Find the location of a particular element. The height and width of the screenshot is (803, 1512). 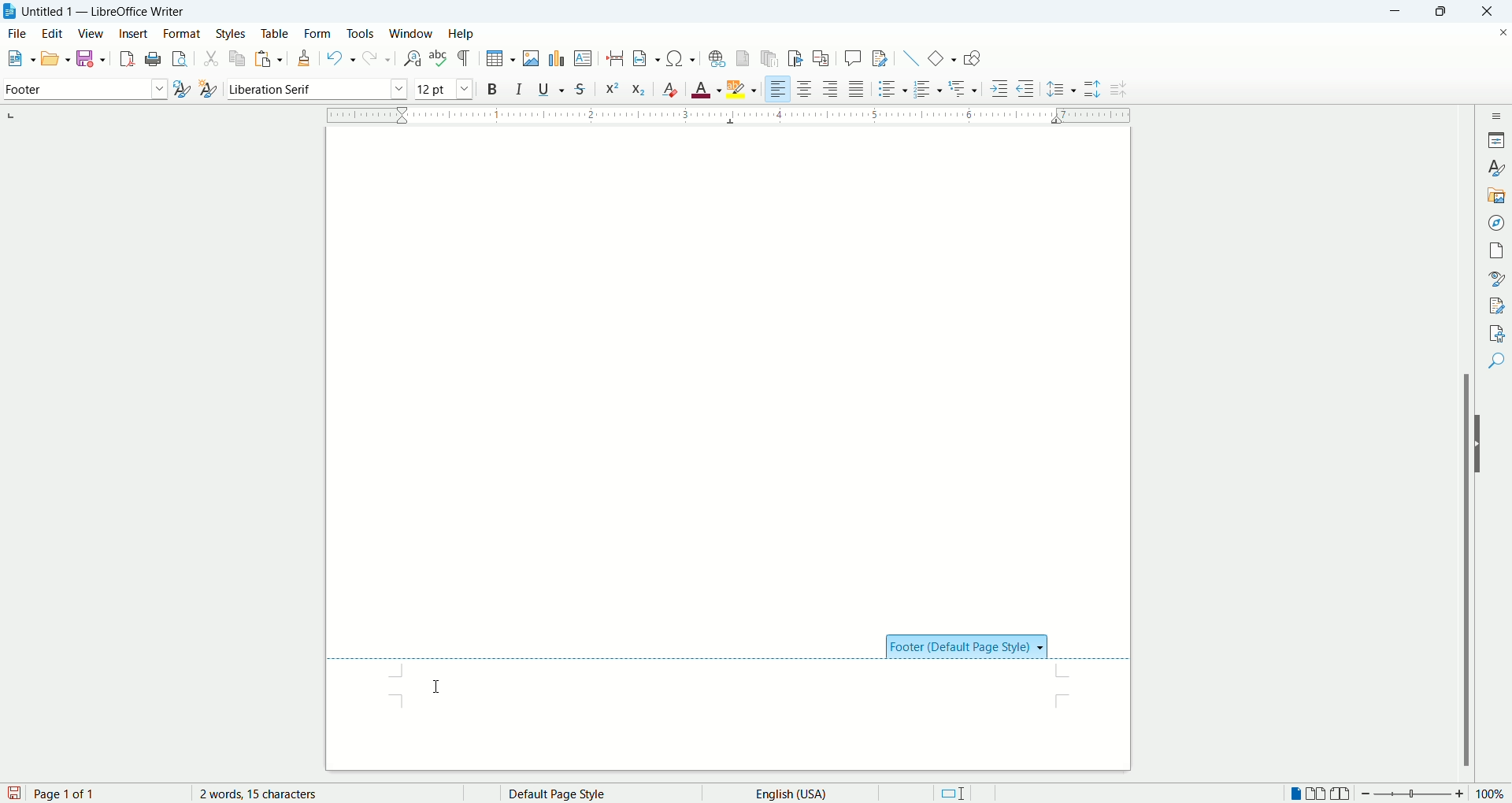

ordered list is located at coordinates (929, 90).